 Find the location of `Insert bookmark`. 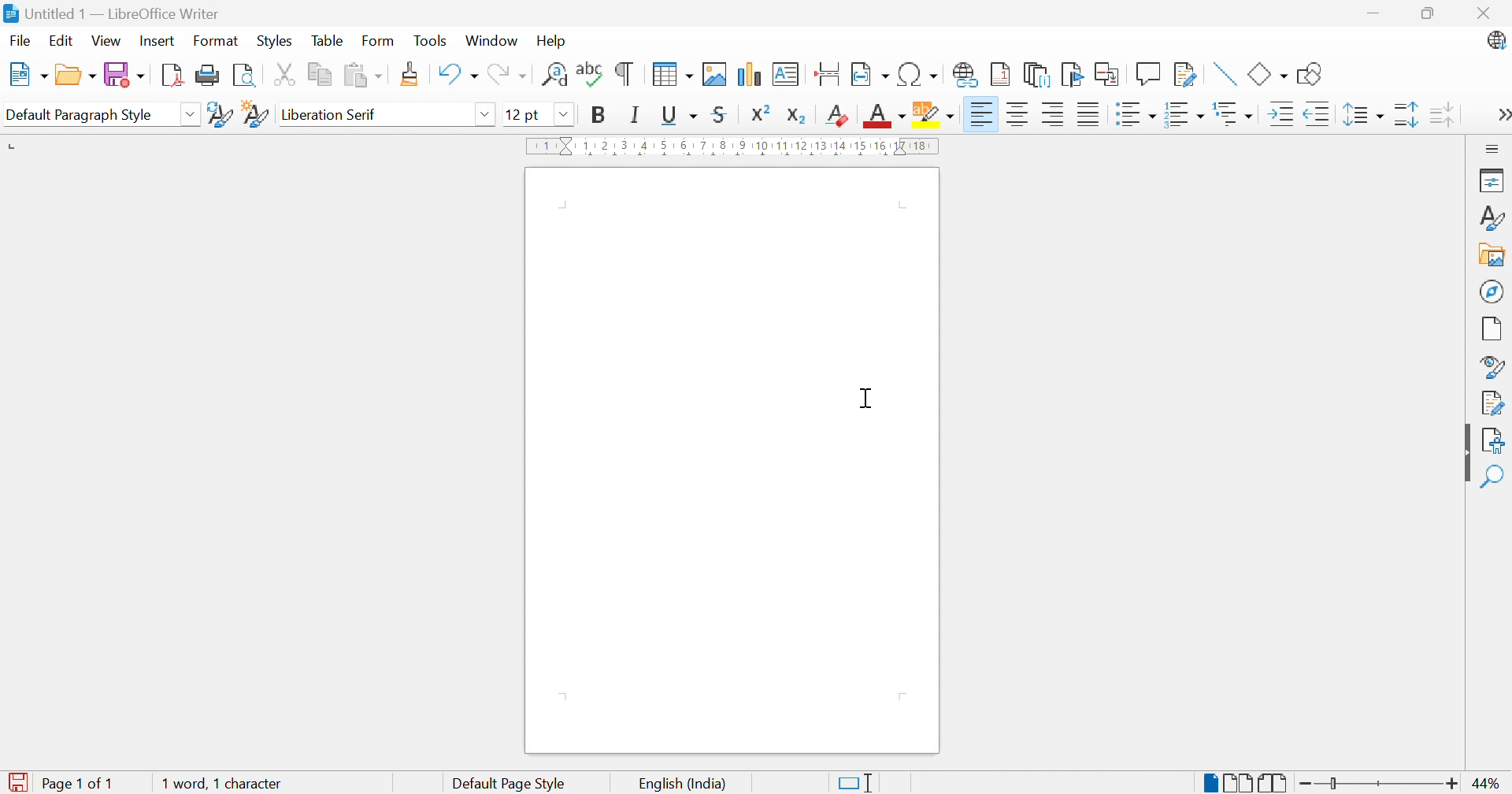

Insert bookmark is located at coordinates (1071, 75).